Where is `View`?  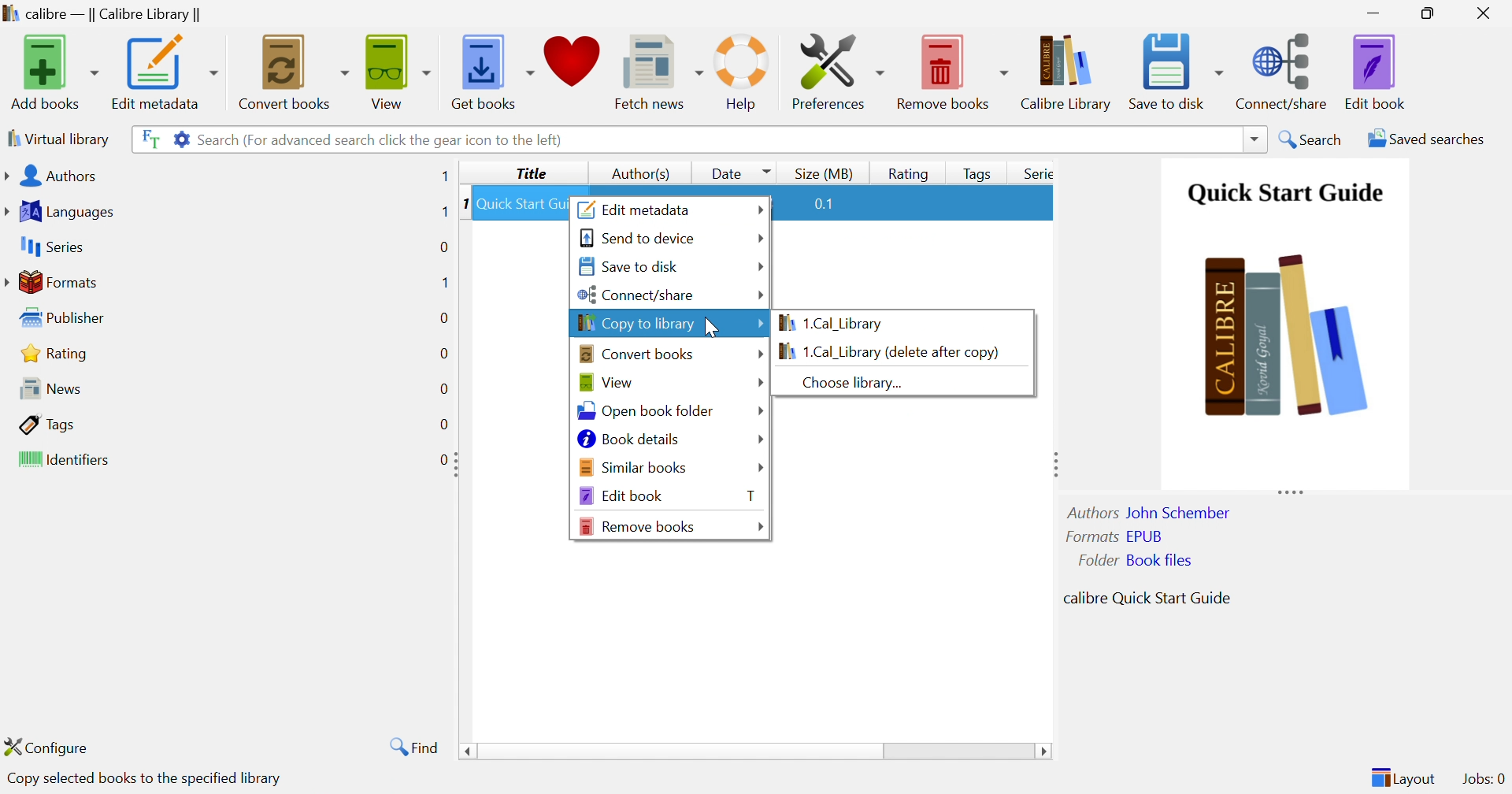 View is located at coordinates (399, 69).